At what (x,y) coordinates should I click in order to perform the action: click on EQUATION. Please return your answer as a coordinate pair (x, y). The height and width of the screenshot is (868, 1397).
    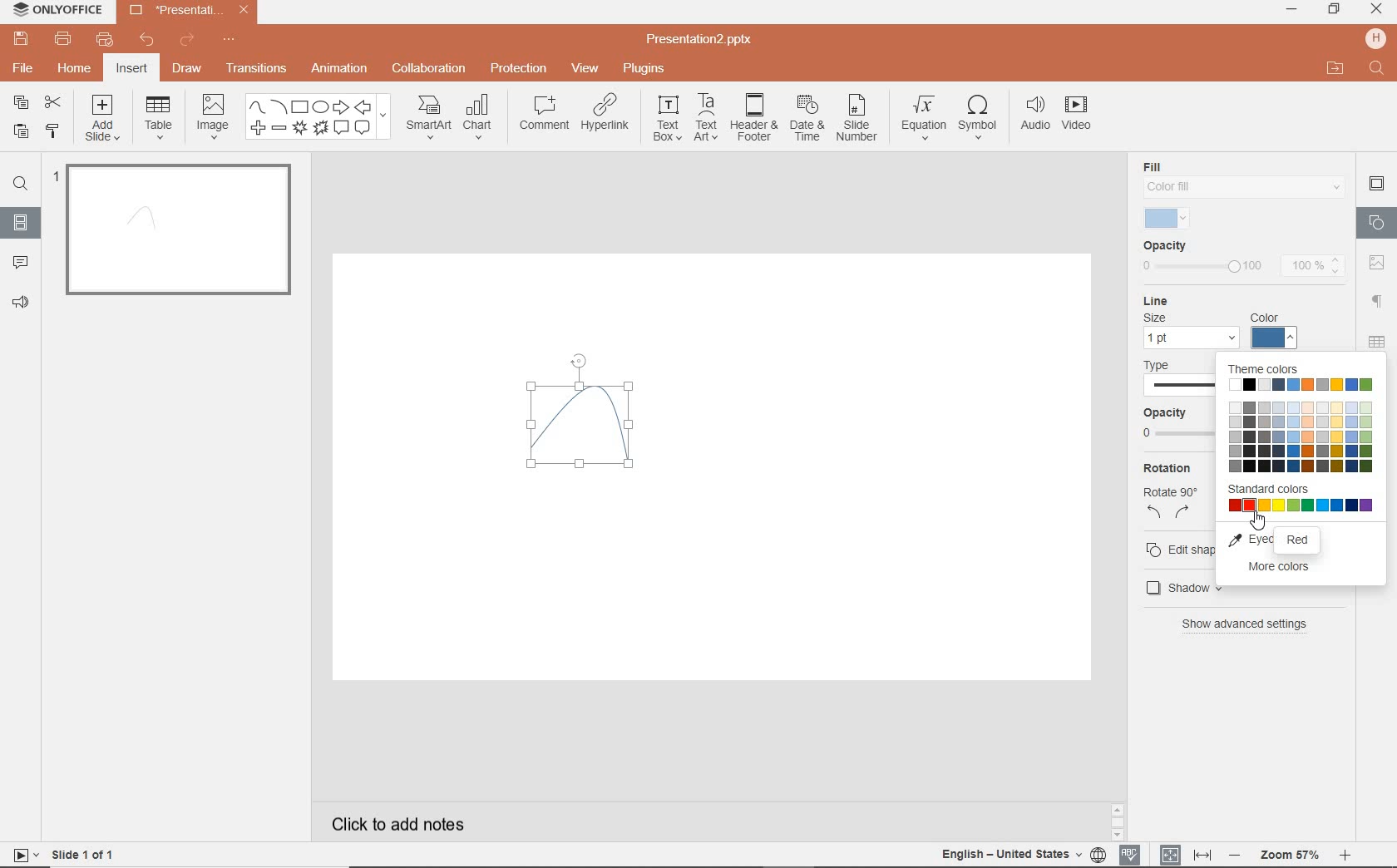
    Looking at the image, I should click on (924, 116).